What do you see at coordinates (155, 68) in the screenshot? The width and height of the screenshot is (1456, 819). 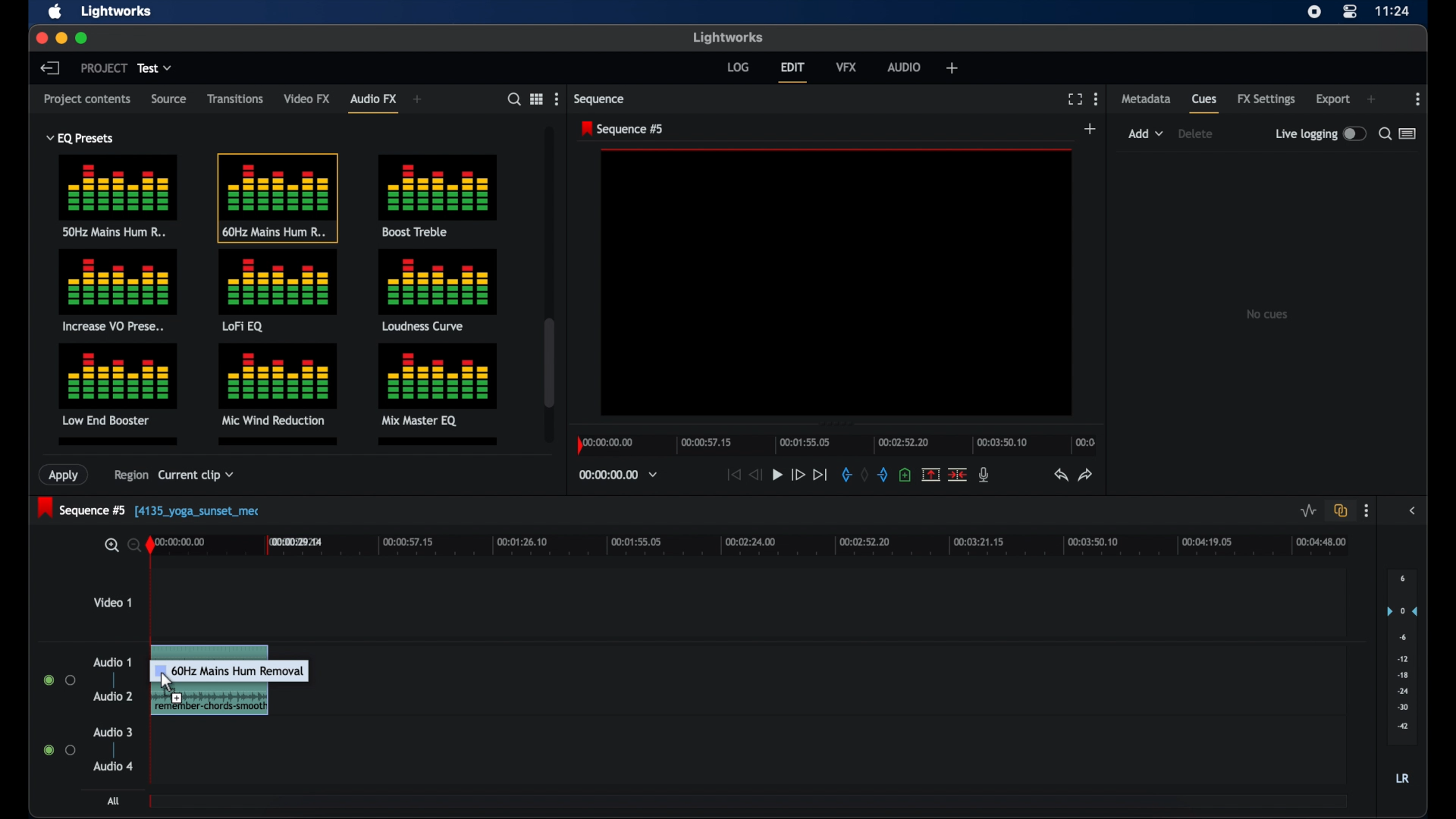 I see `test` at bounding box center [155, 68].